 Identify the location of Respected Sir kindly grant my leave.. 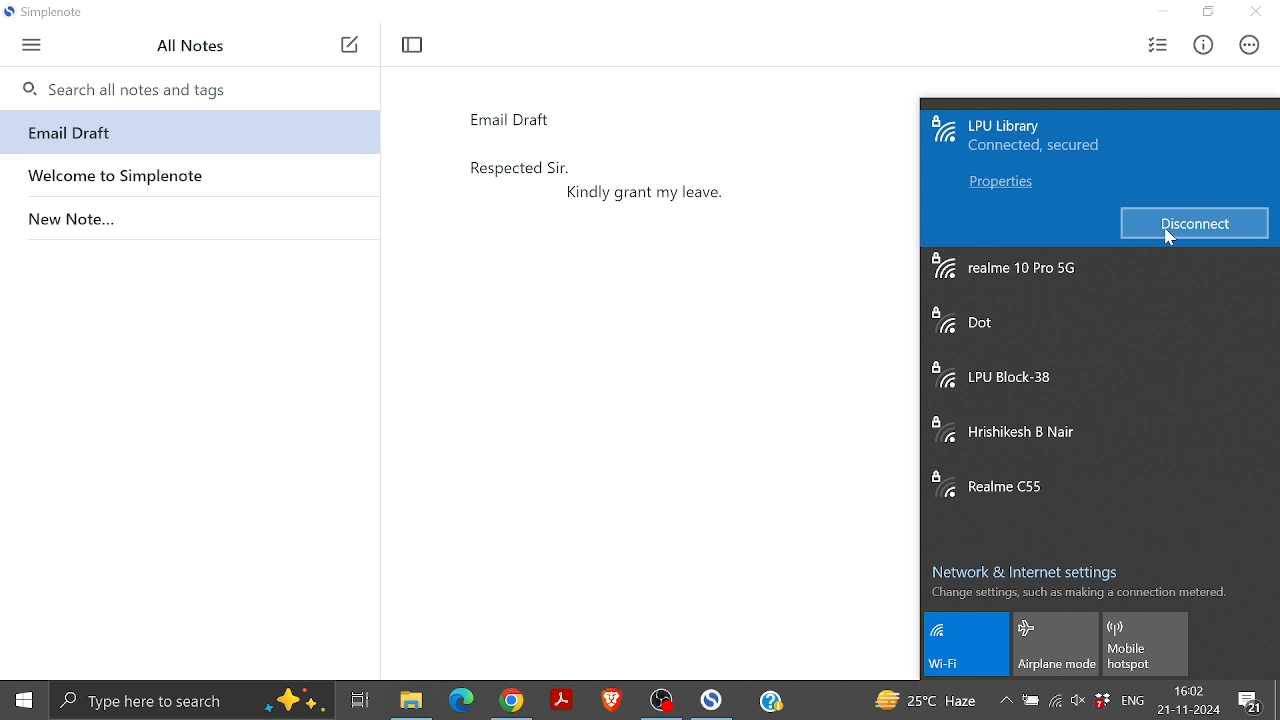
(664, 385).